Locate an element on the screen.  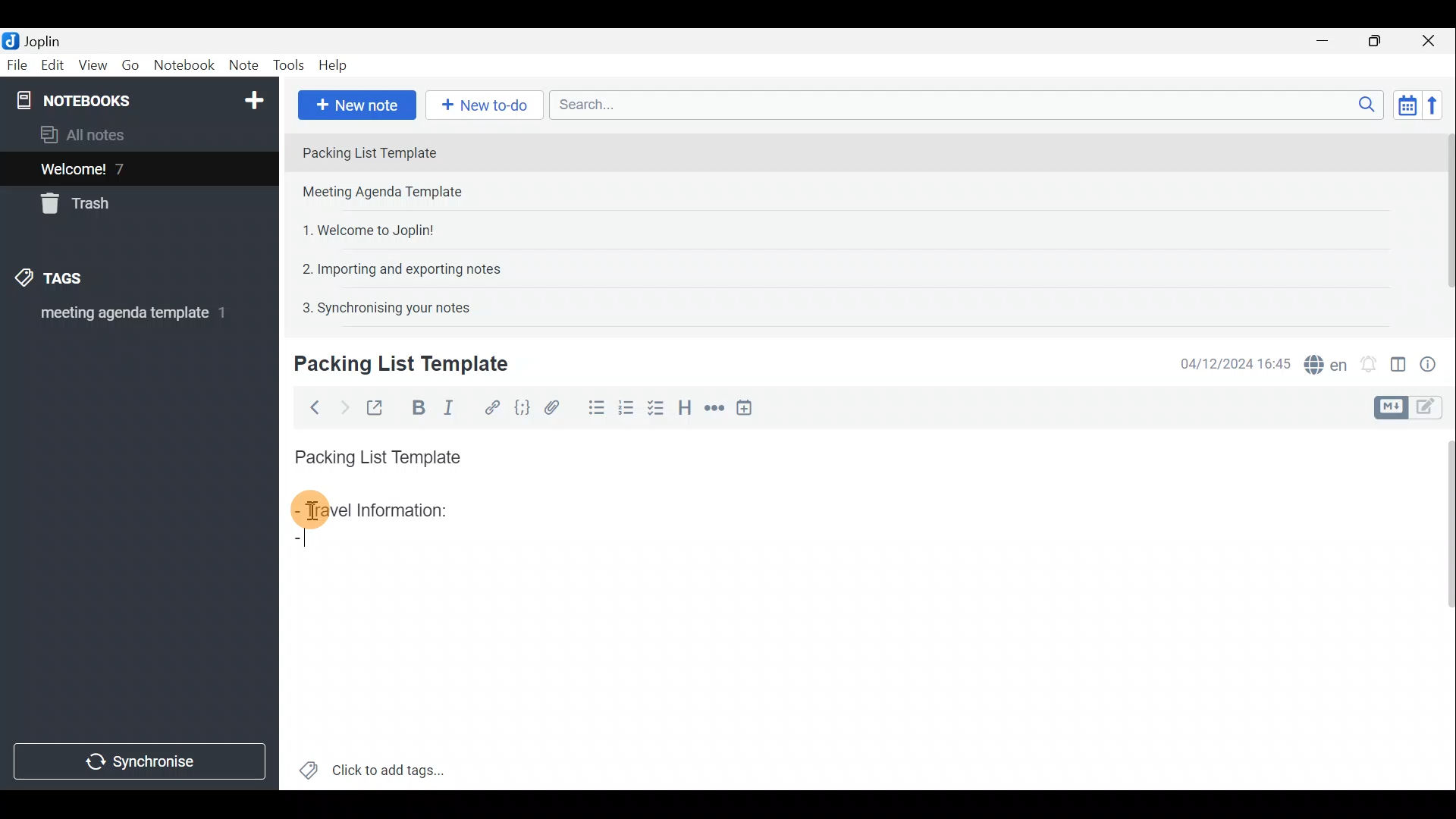
Note properties is located at coordinates (1433, 362).